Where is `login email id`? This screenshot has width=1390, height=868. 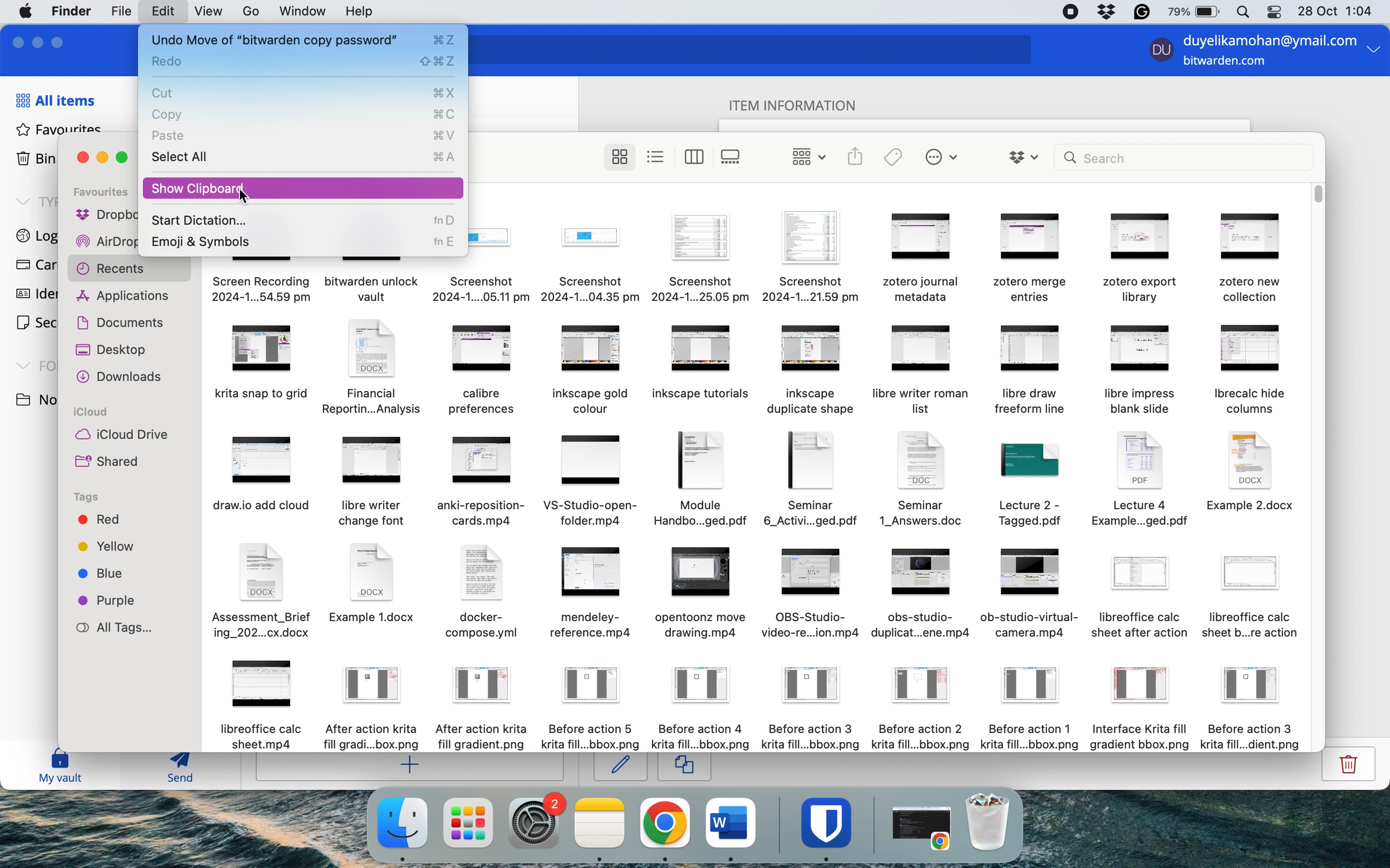
login email id is located at coordinates (1265, 38).